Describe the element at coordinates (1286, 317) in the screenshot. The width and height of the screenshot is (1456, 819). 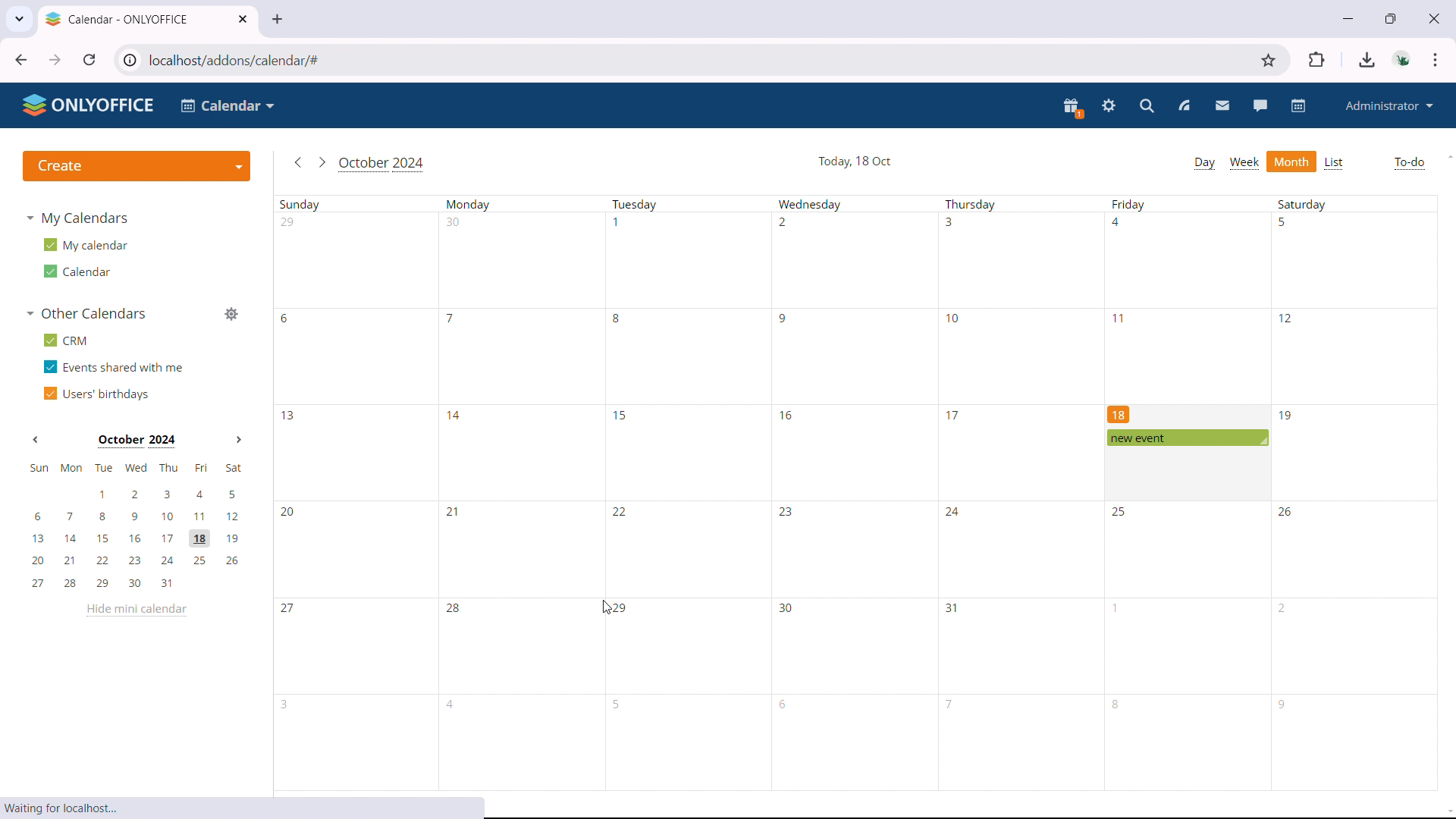
I see `12` at that location.